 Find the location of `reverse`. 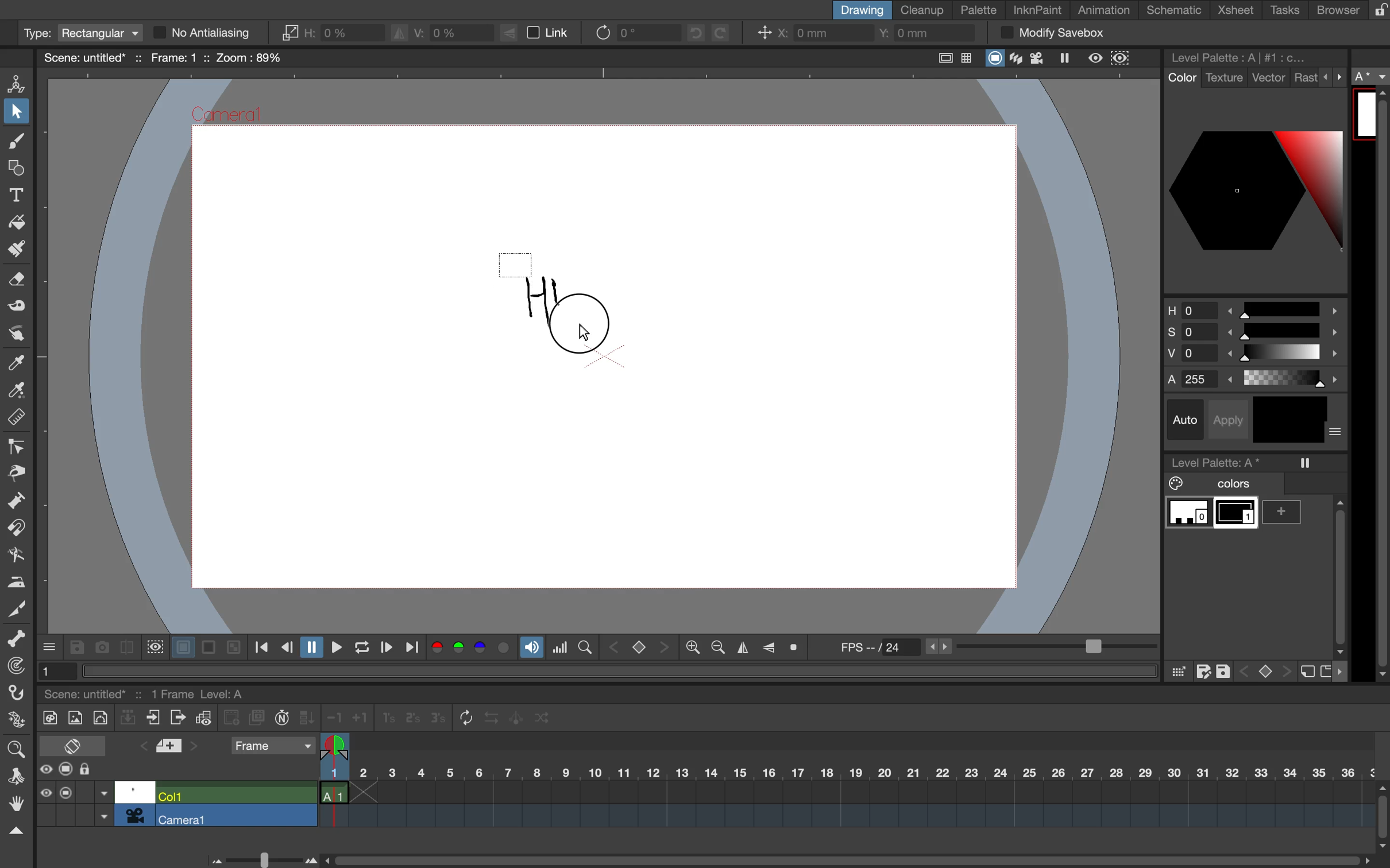

reverse is located at coordinates (491, 718).